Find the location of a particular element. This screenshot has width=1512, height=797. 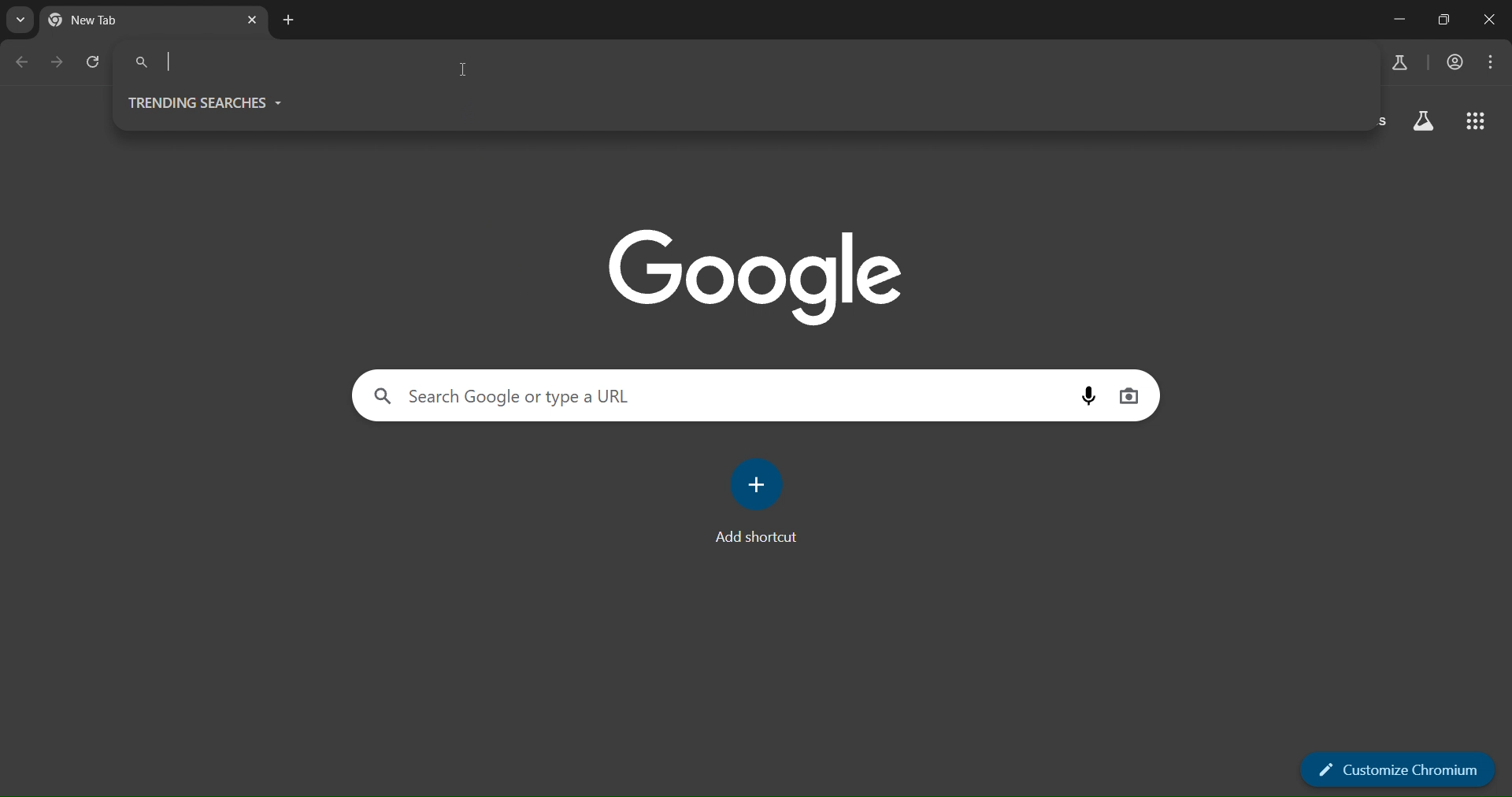

customize chromium is located at coordinates (1389, 772).